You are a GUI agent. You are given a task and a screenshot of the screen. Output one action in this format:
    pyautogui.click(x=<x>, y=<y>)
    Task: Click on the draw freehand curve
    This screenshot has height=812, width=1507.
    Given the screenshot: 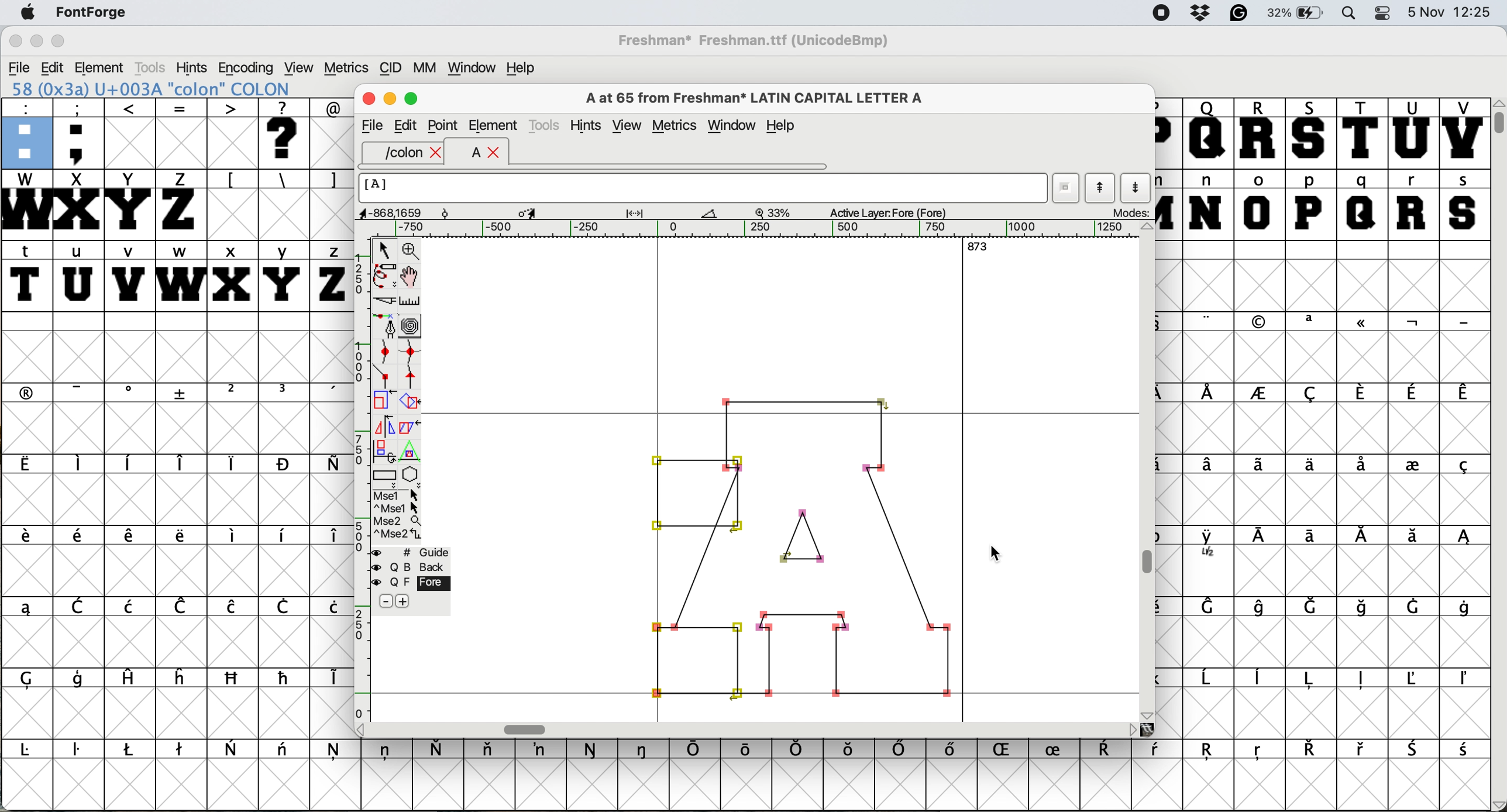 What is the action you would take?
    pyautogui.click(x=384, y=274)
    